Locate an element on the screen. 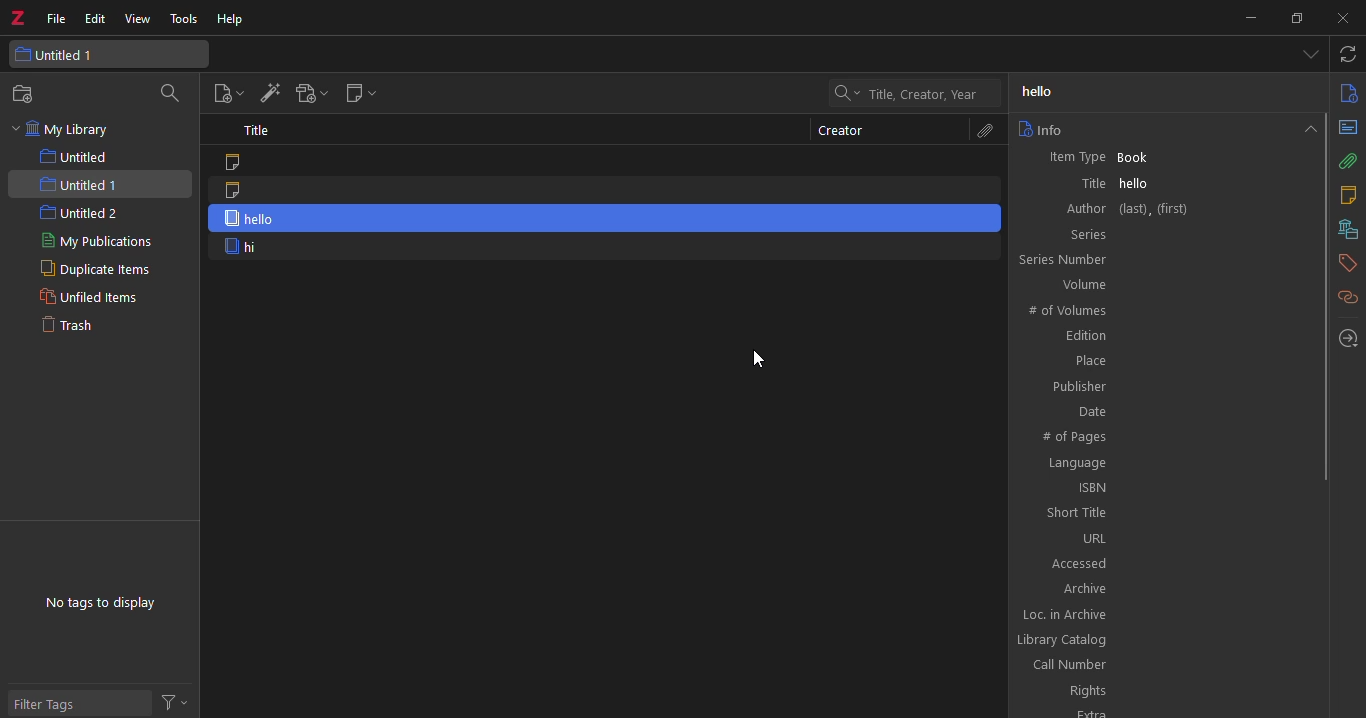 The height and width of the screenshot is (718, 1366). Short title is located at coordinates (1166, 512).